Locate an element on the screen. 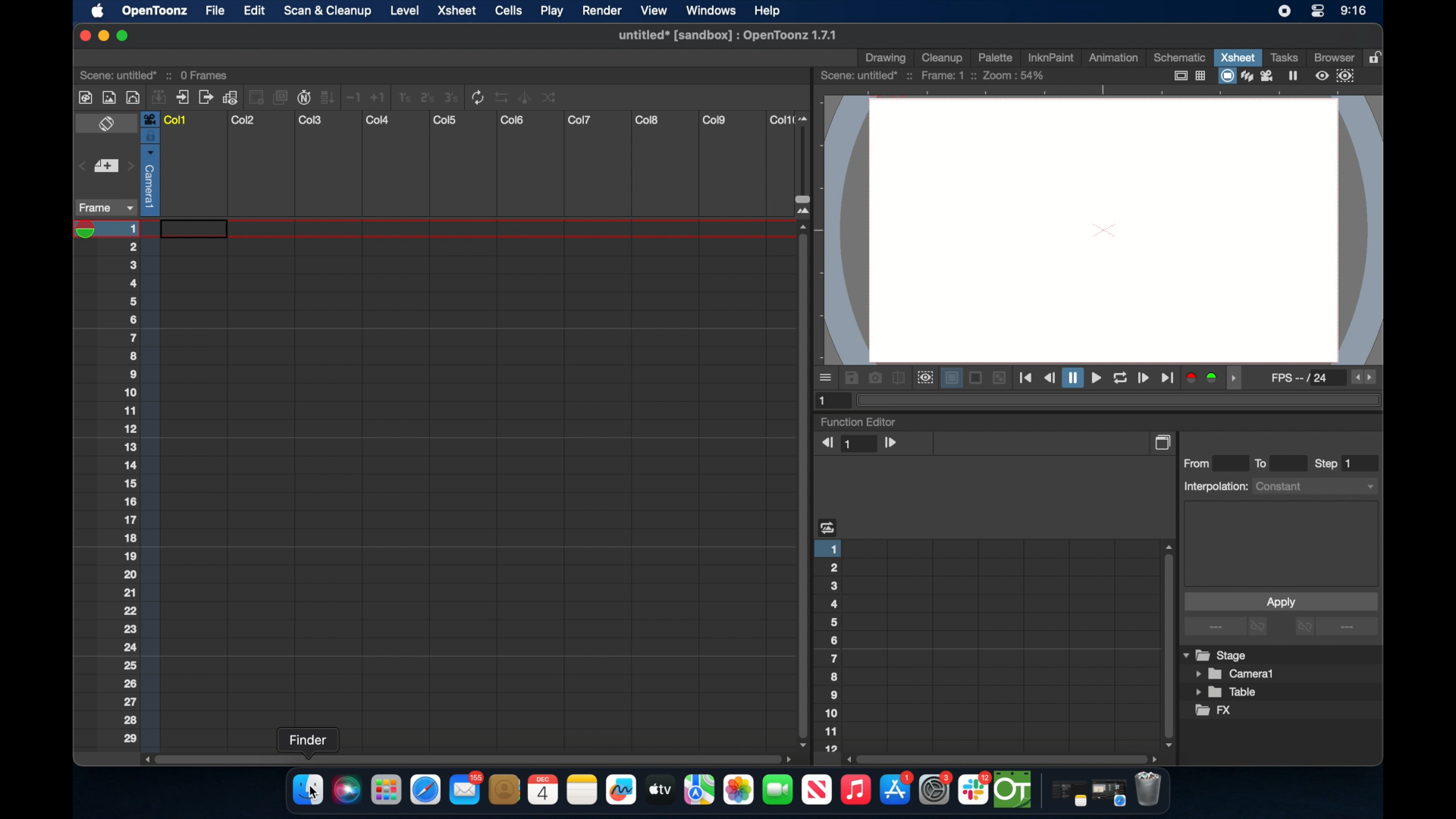 This screenshot has height=819, width=1456. tooltip is located at coordinates (308, 737).